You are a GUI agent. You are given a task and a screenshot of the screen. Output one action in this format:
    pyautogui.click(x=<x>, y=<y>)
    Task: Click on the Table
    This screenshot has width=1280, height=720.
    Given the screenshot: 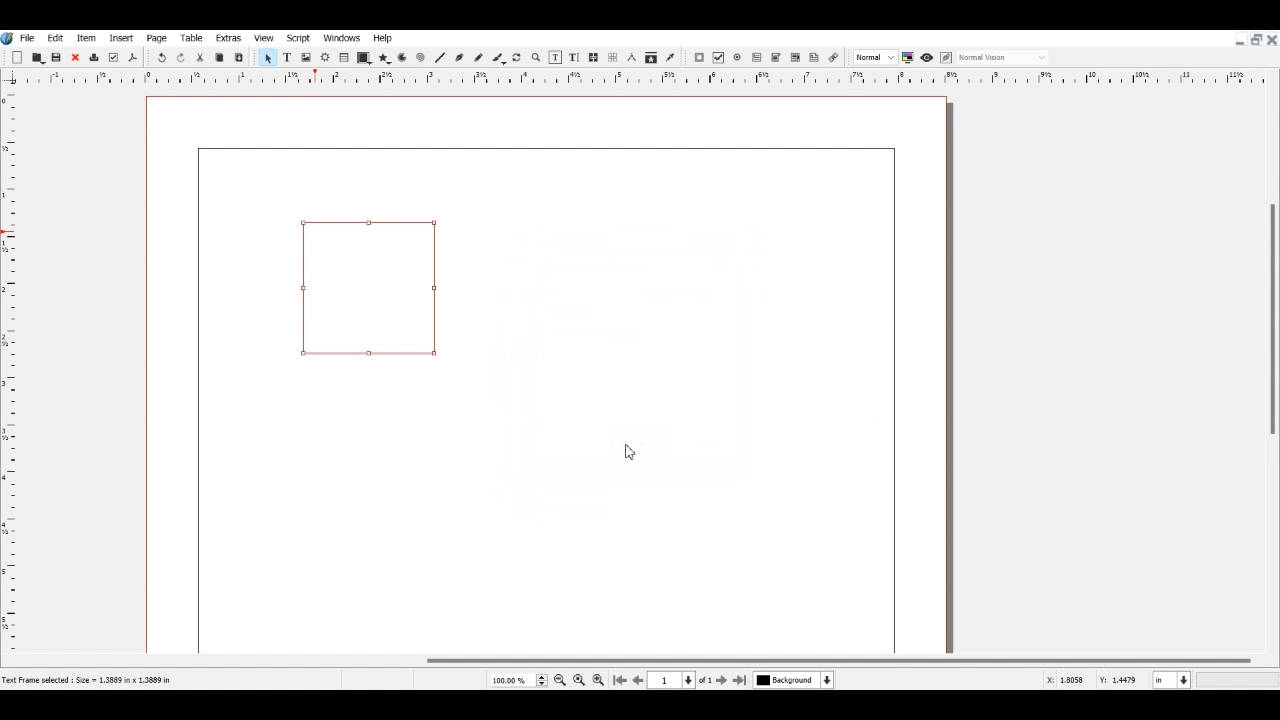 What is the action you would take?
    pyautogui.click(x=345, y=58)
    